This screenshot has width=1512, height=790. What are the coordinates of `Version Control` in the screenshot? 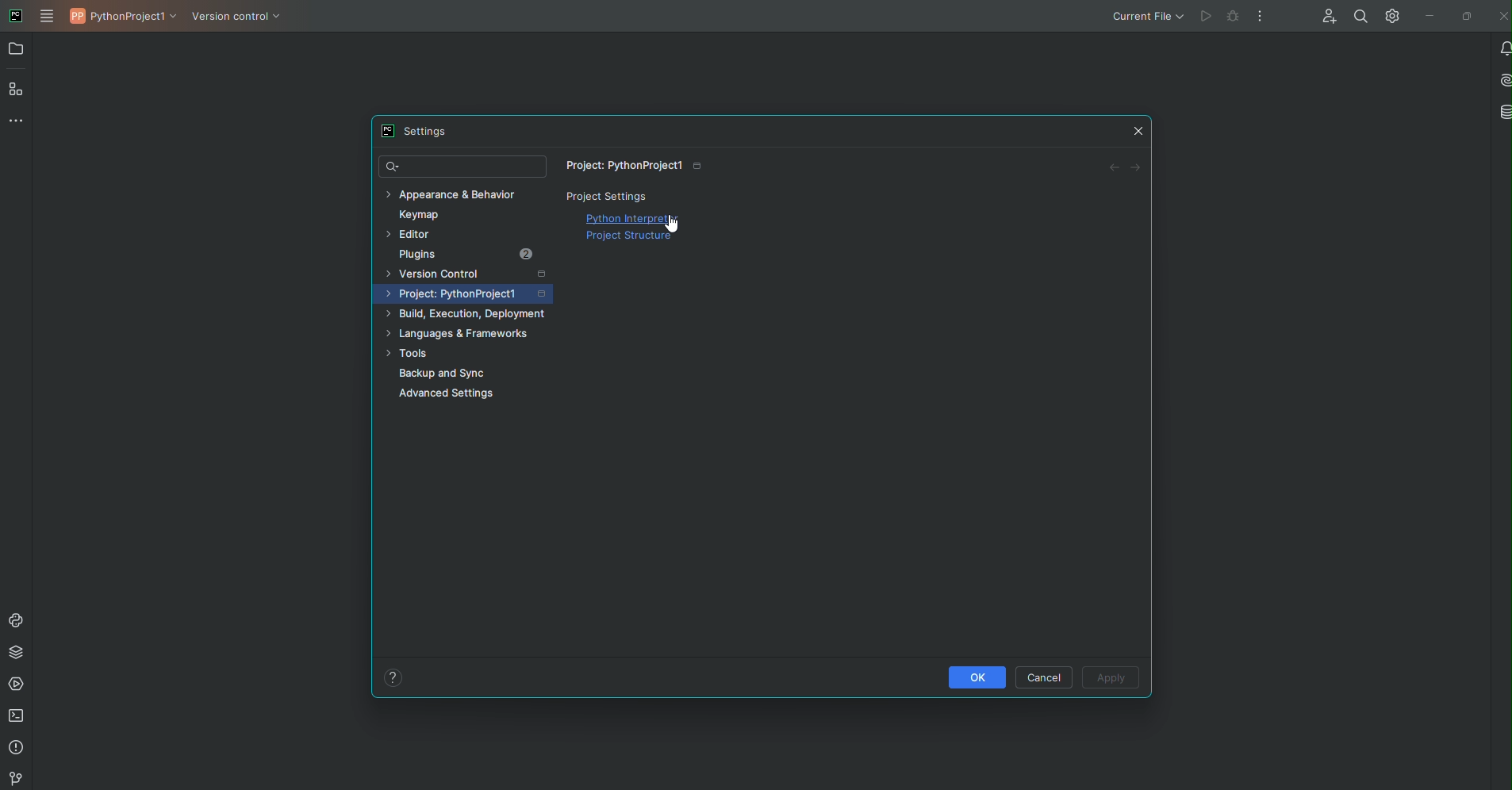 It's located at (241, 21).